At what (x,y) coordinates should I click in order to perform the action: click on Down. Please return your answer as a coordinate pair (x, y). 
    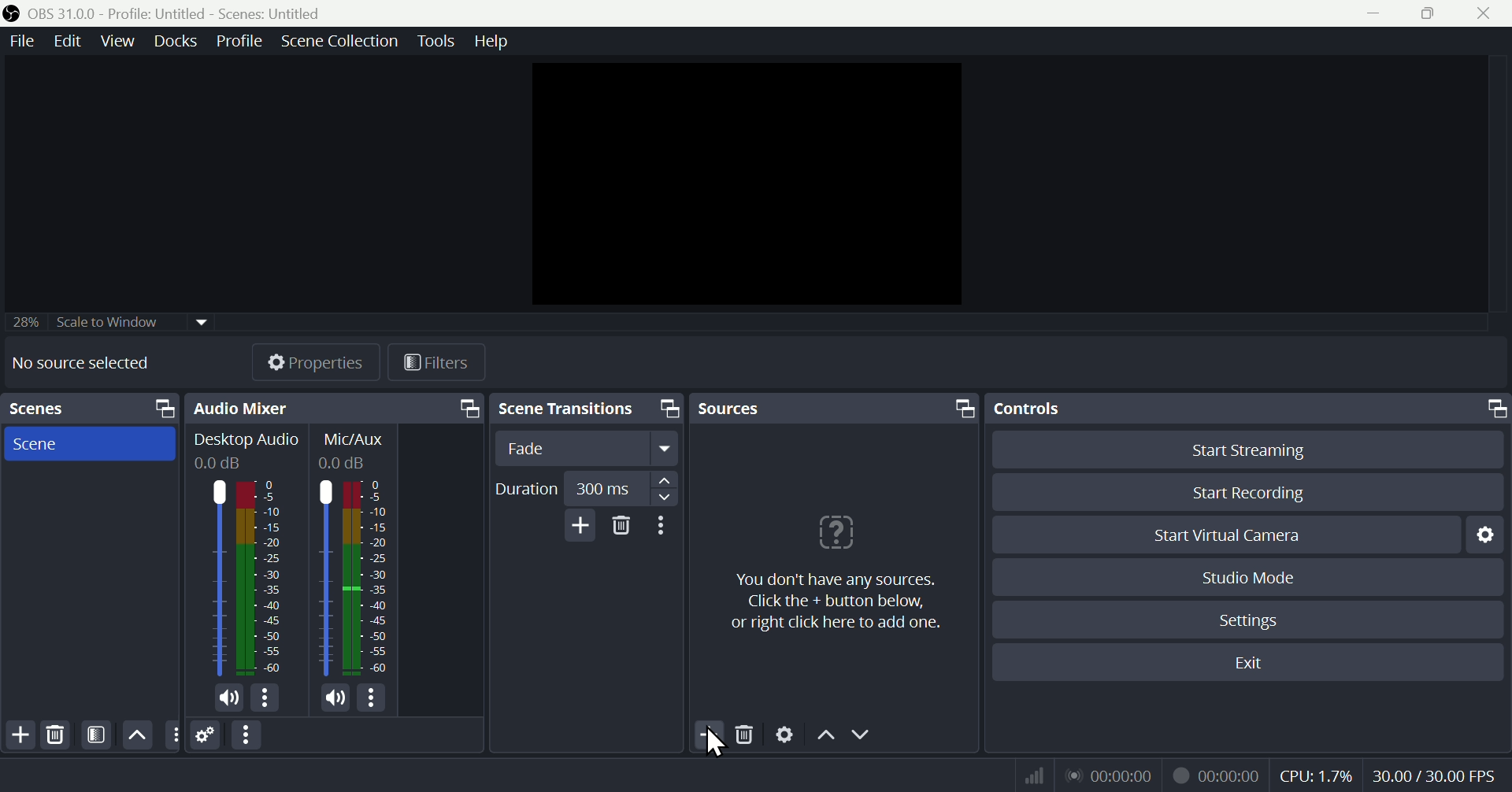
    Looking at the image, I should click on (861, 736).